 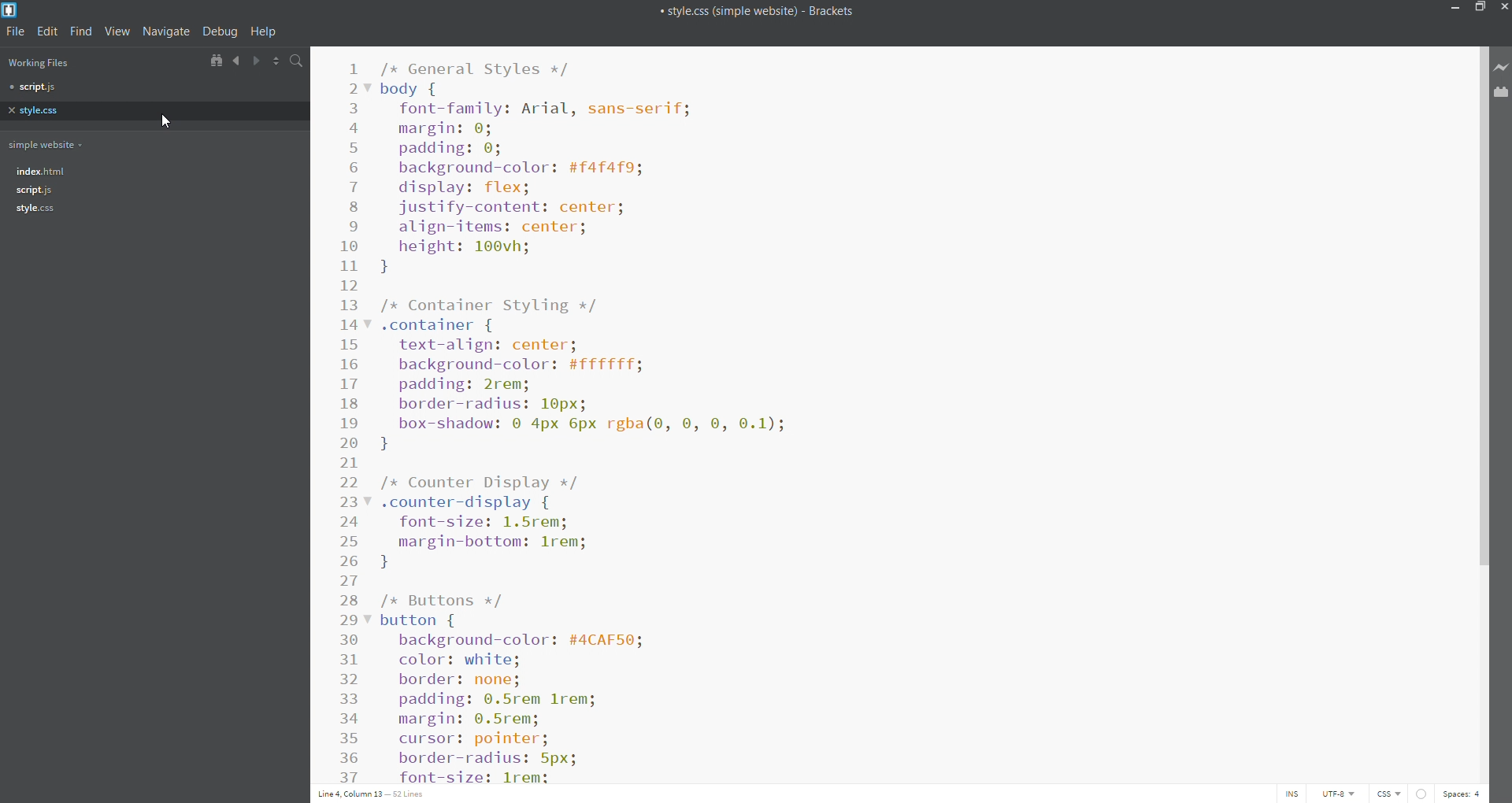 What do you see at coordinates (265, 31) in the screenshot?
I see `help` at bounding box center [265, 31].